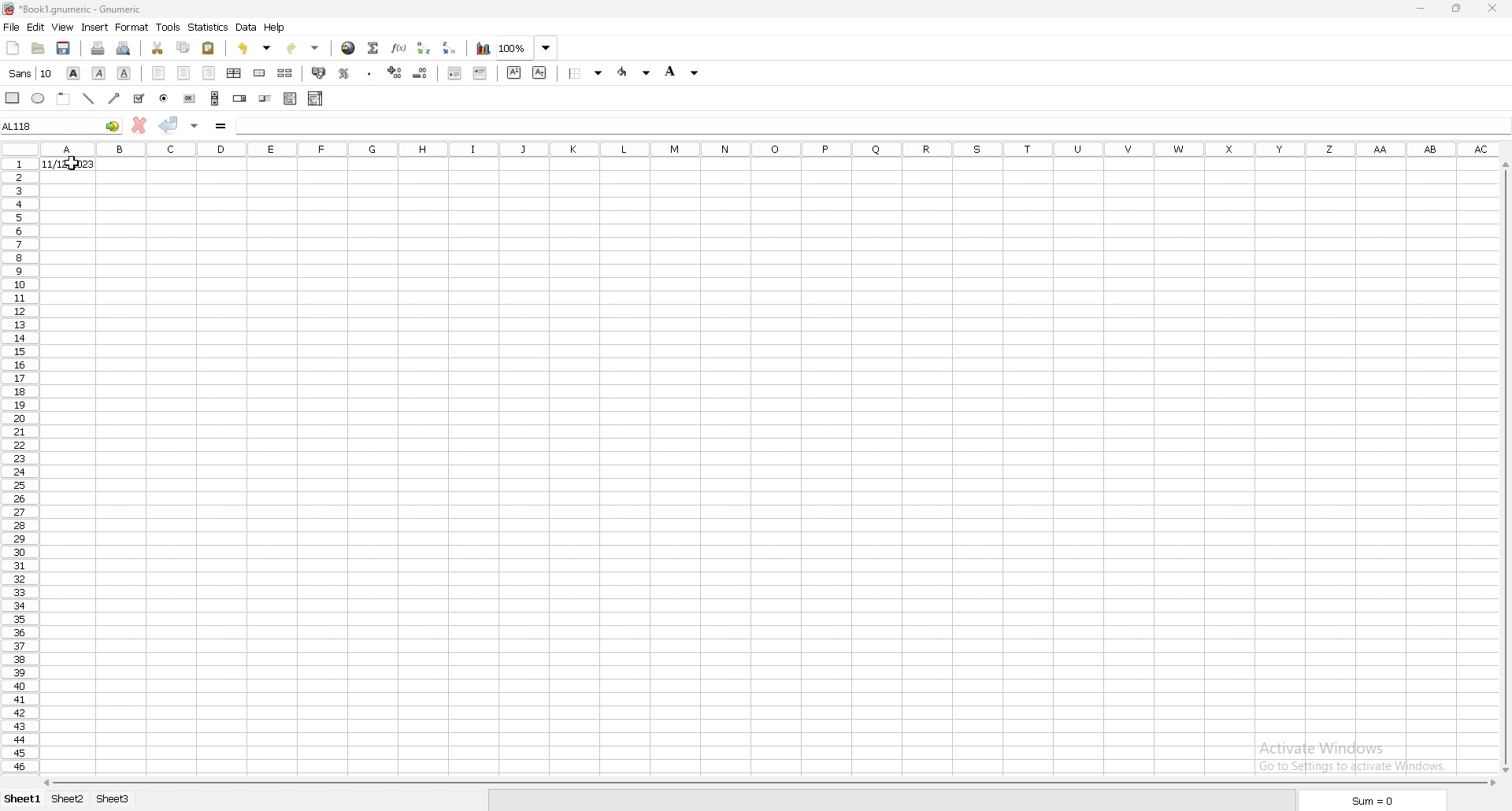 The image size is (1512, 811). I want to click on selected cell input, so click(871, 124).